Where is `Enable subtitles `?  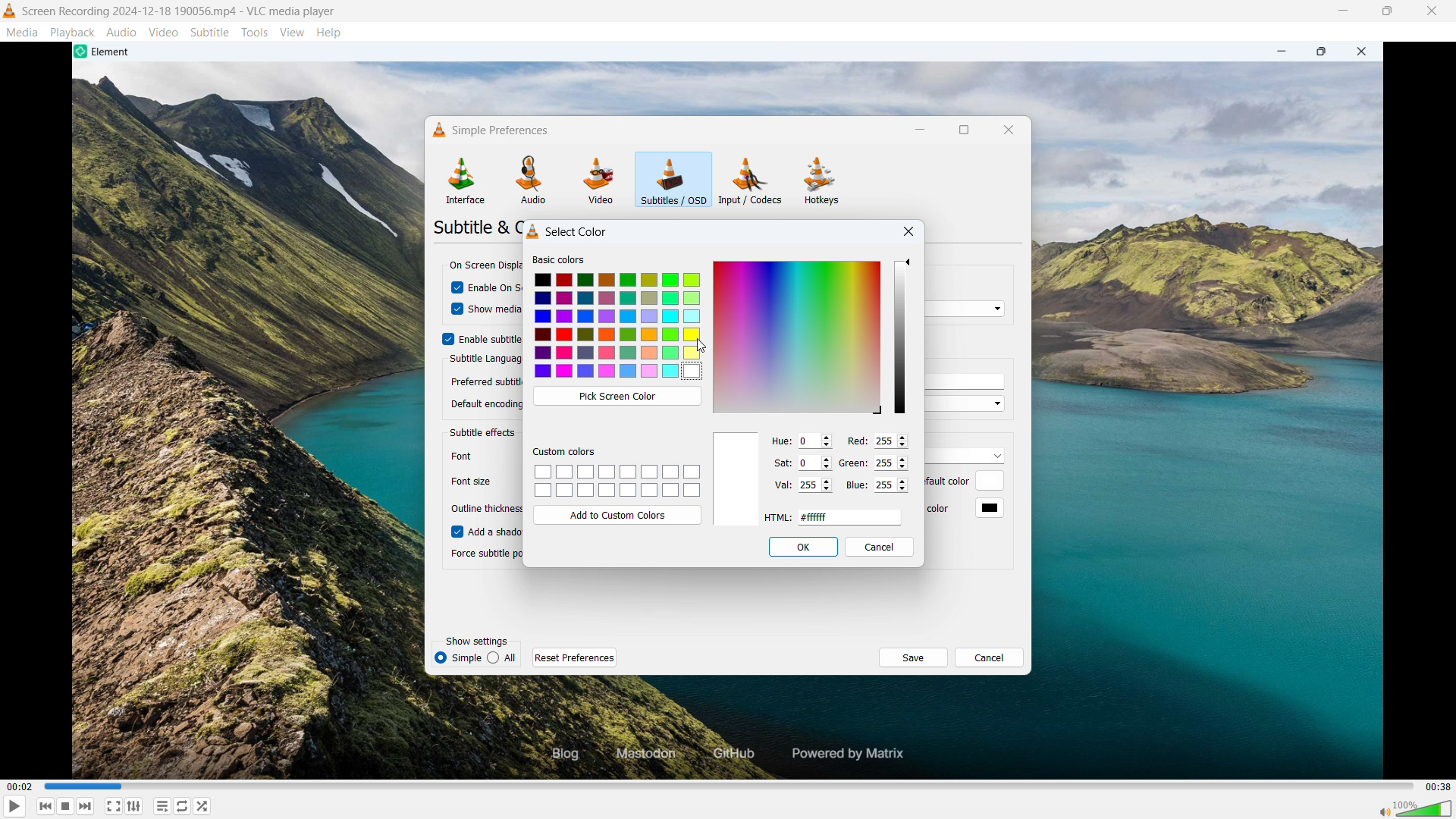
Enable subtitles  is located at coordinates (491, 340).